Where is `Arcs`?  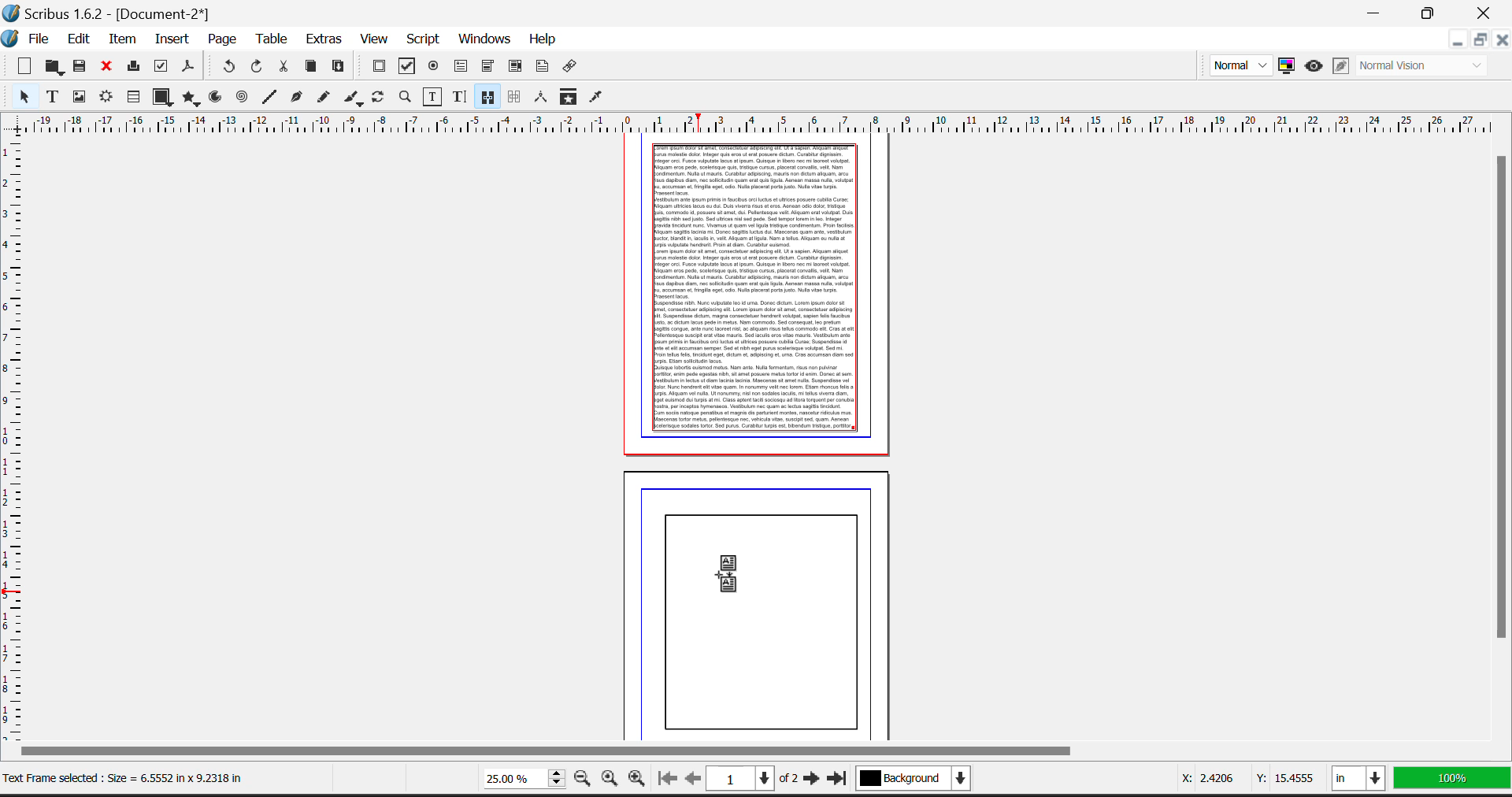 Arcs is located at coordinates (216, 98).